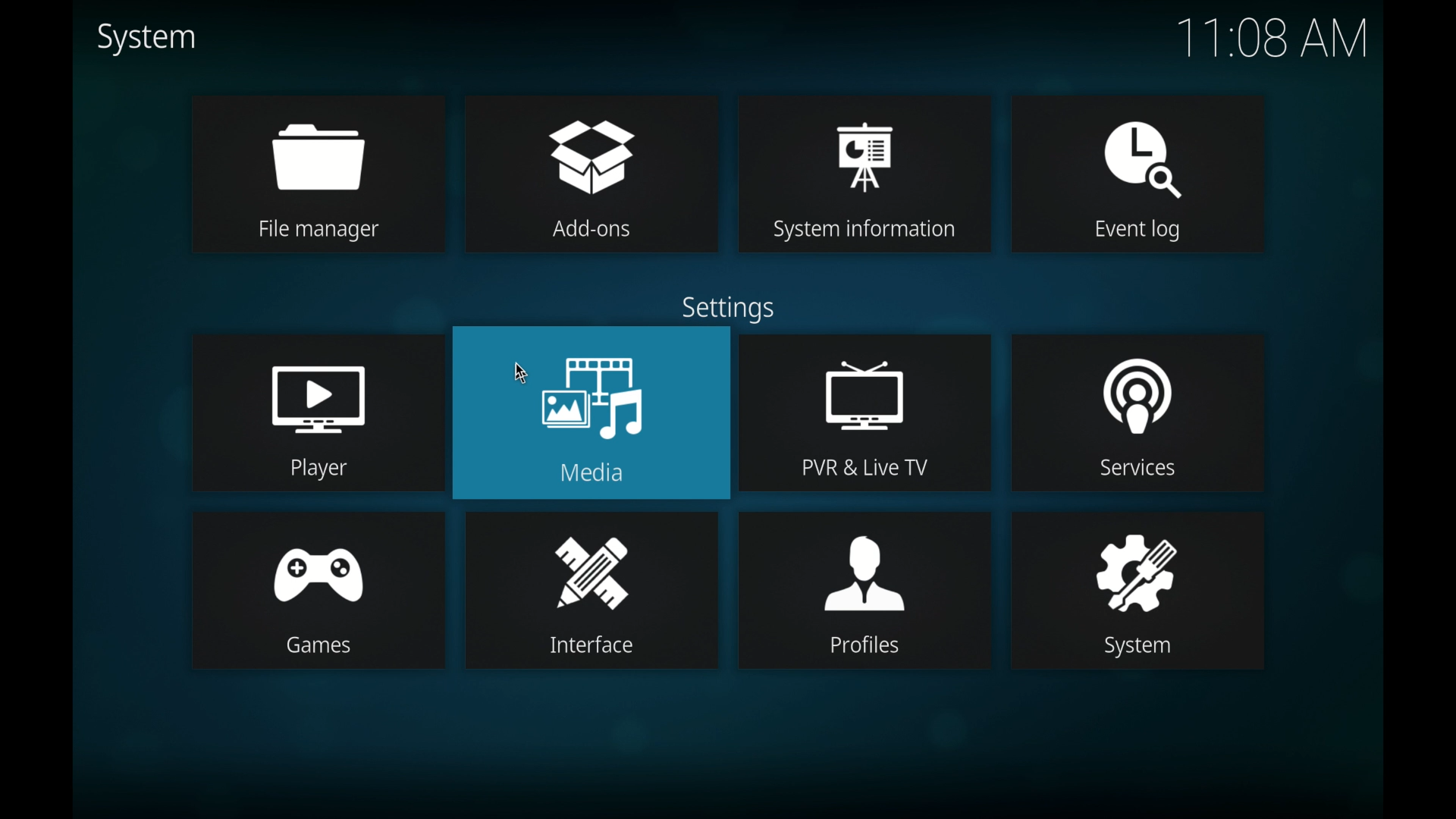 The width and height of the screenshot is (1456, 819). I want to click on time, so click(1271, 38).